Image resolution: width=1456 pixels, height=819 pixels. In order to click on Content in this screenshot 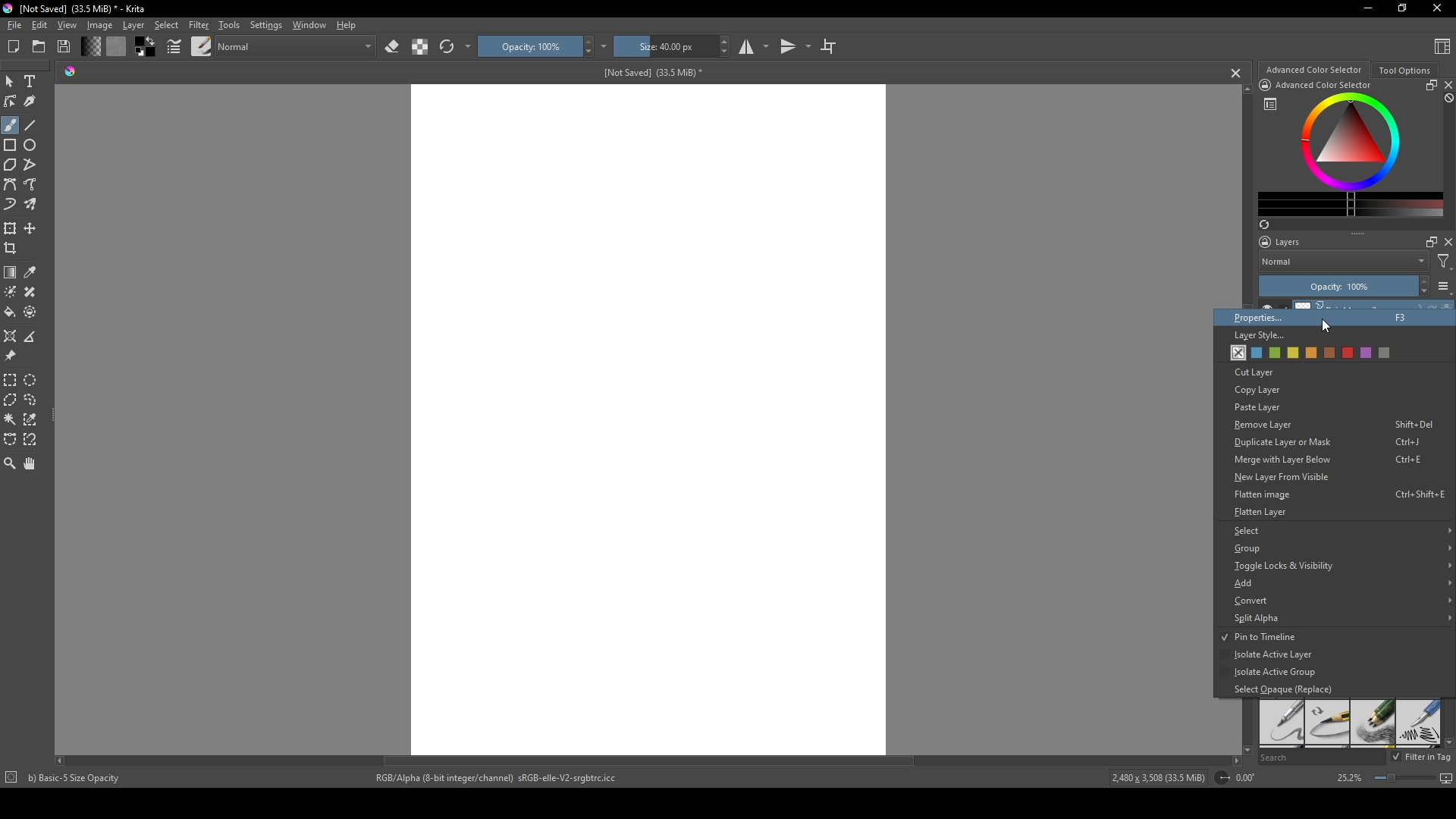, I will do `click(1442, 45)`.